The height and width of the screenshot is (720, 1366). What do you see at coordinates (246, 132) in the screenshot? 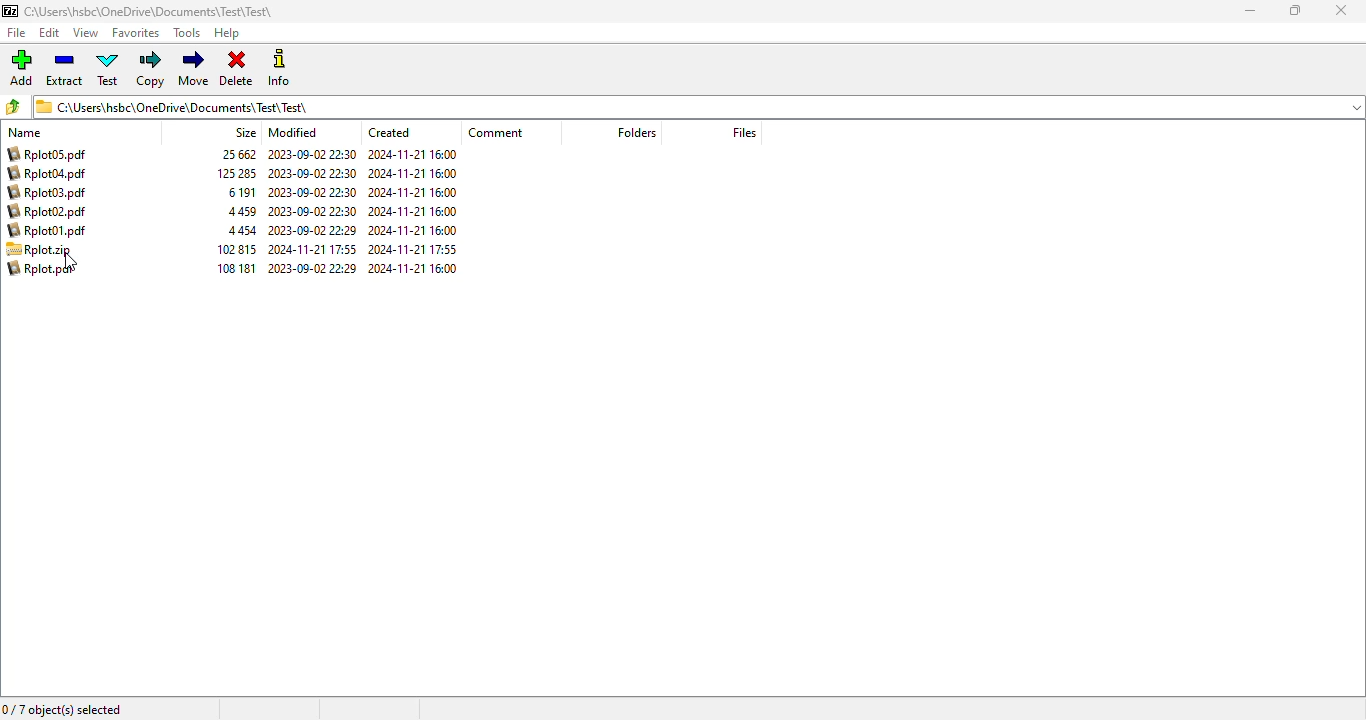
I see `size` at bounding box center [246, 132].